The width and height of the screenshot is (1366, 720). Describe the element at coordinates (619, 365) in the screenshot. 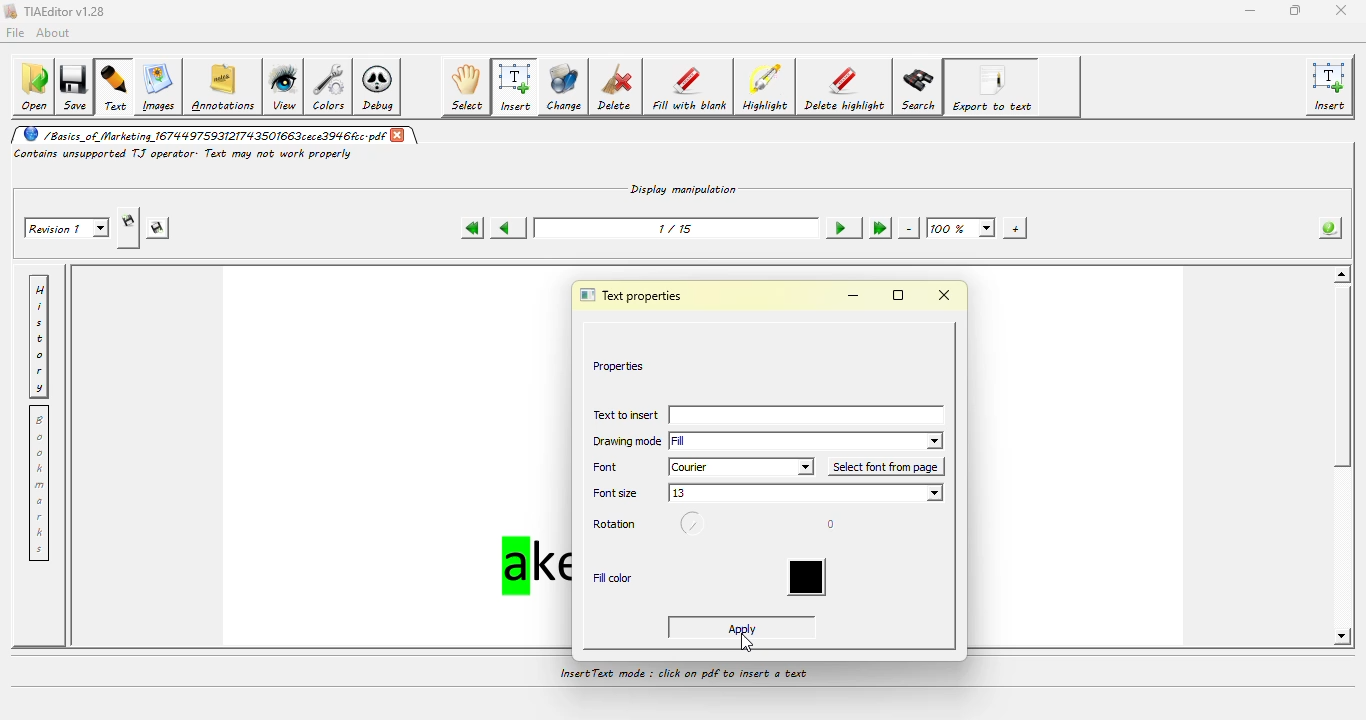

I see `Properties` at that location.